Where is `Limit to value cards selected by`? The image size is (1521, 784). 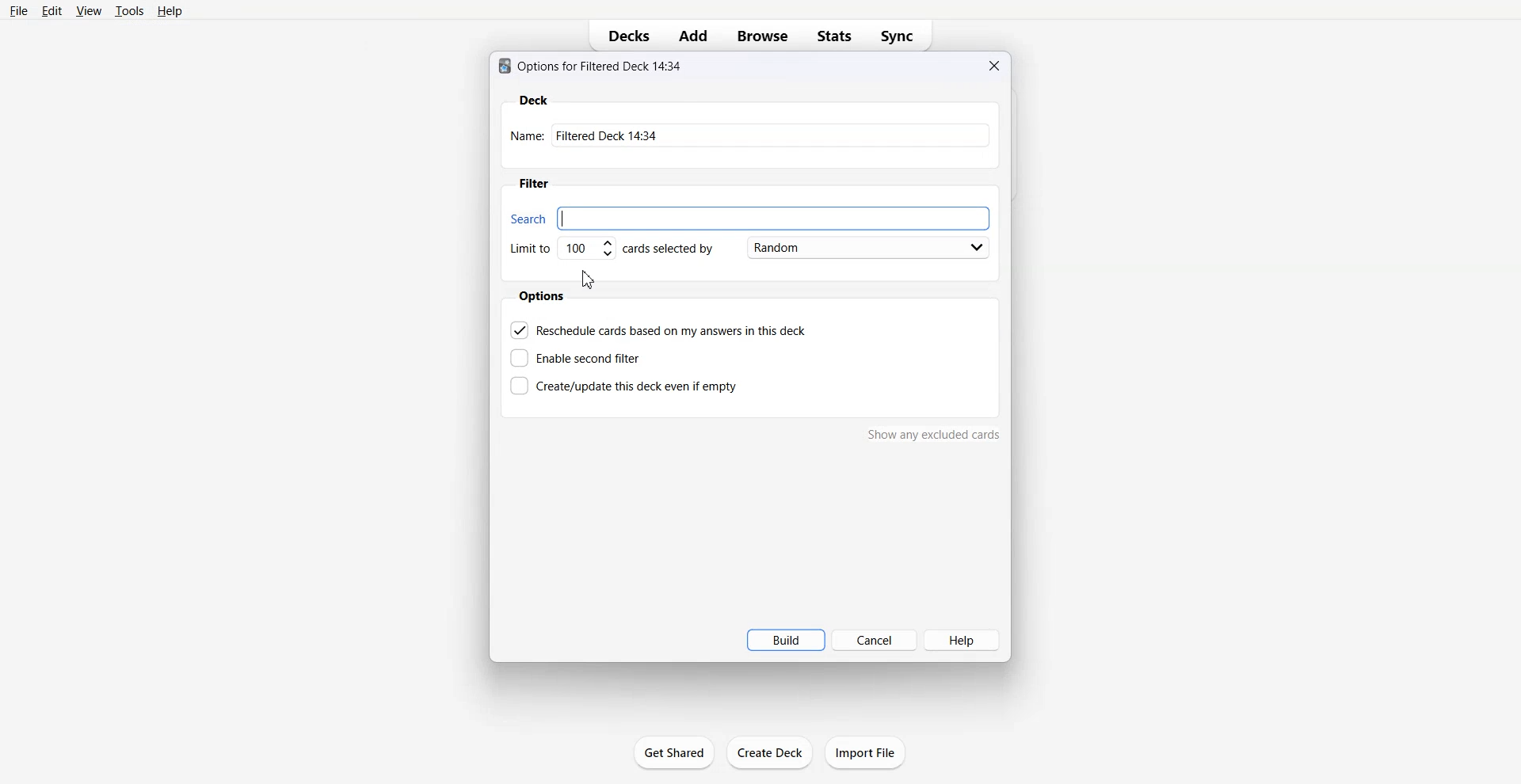 Limit to value cards selected by is located at coordinates (608, 249).